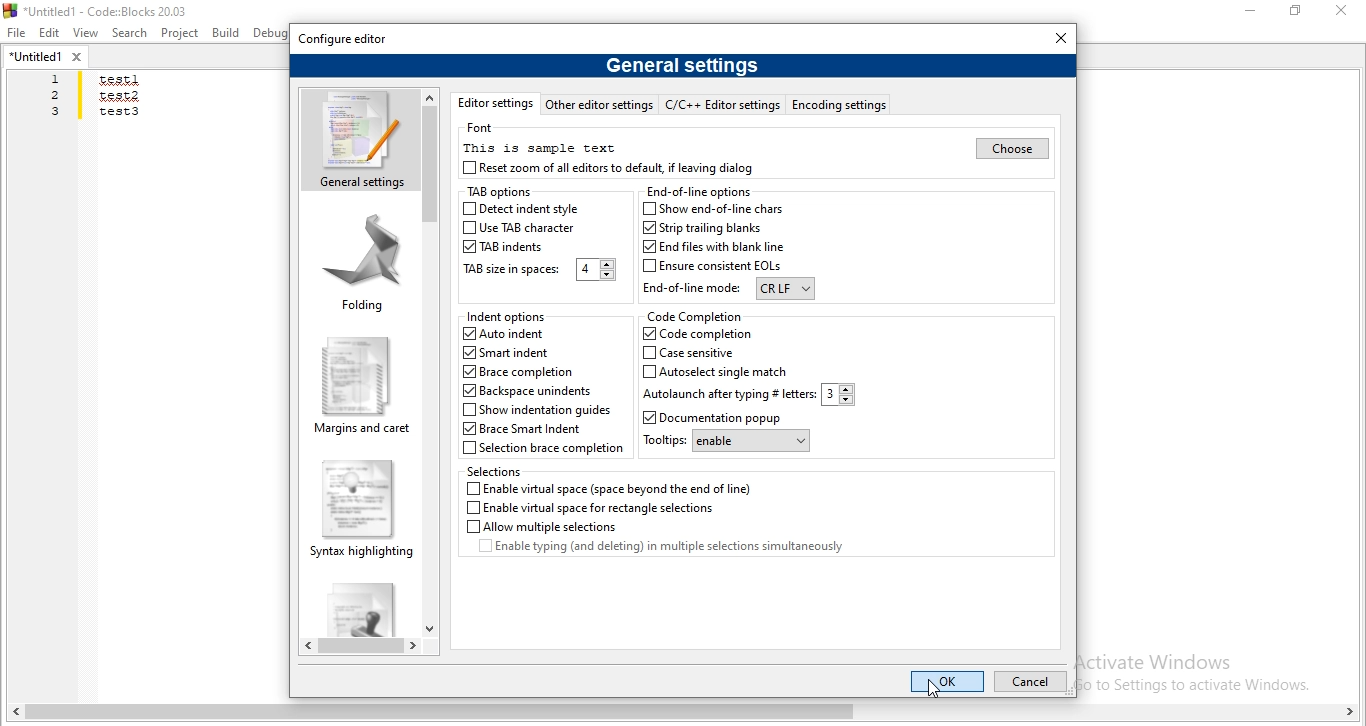 Image resolution: width=1366 pixels, height=726 pixels. Describe the element at coordinates (102, 9) in the screenshot. I see `*Untitled1 - Code:Blocks 20.03` at that location.